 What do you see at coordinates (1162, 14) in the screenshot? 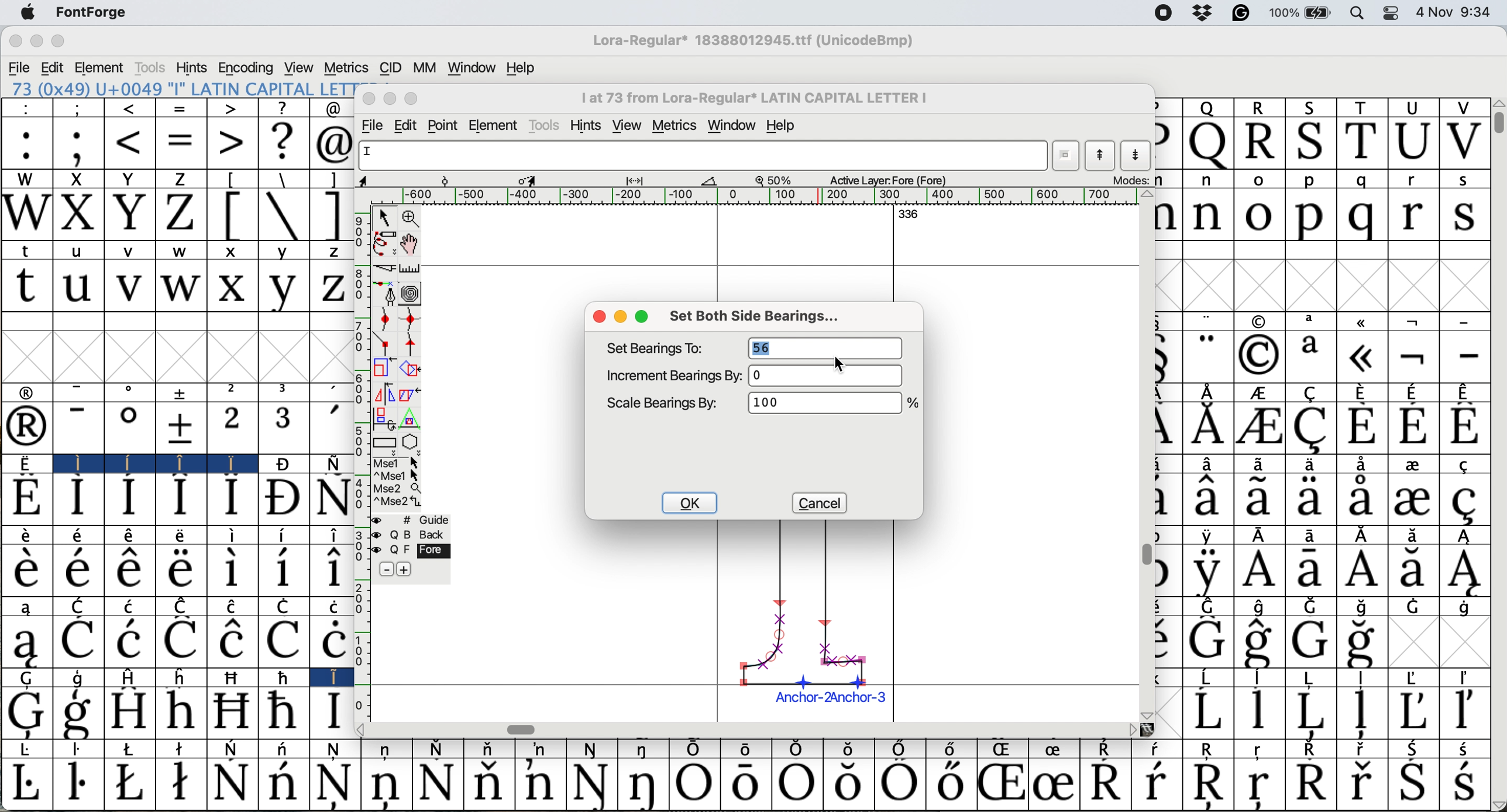
I see `screen recorder` at bounding box center [1162, 14].